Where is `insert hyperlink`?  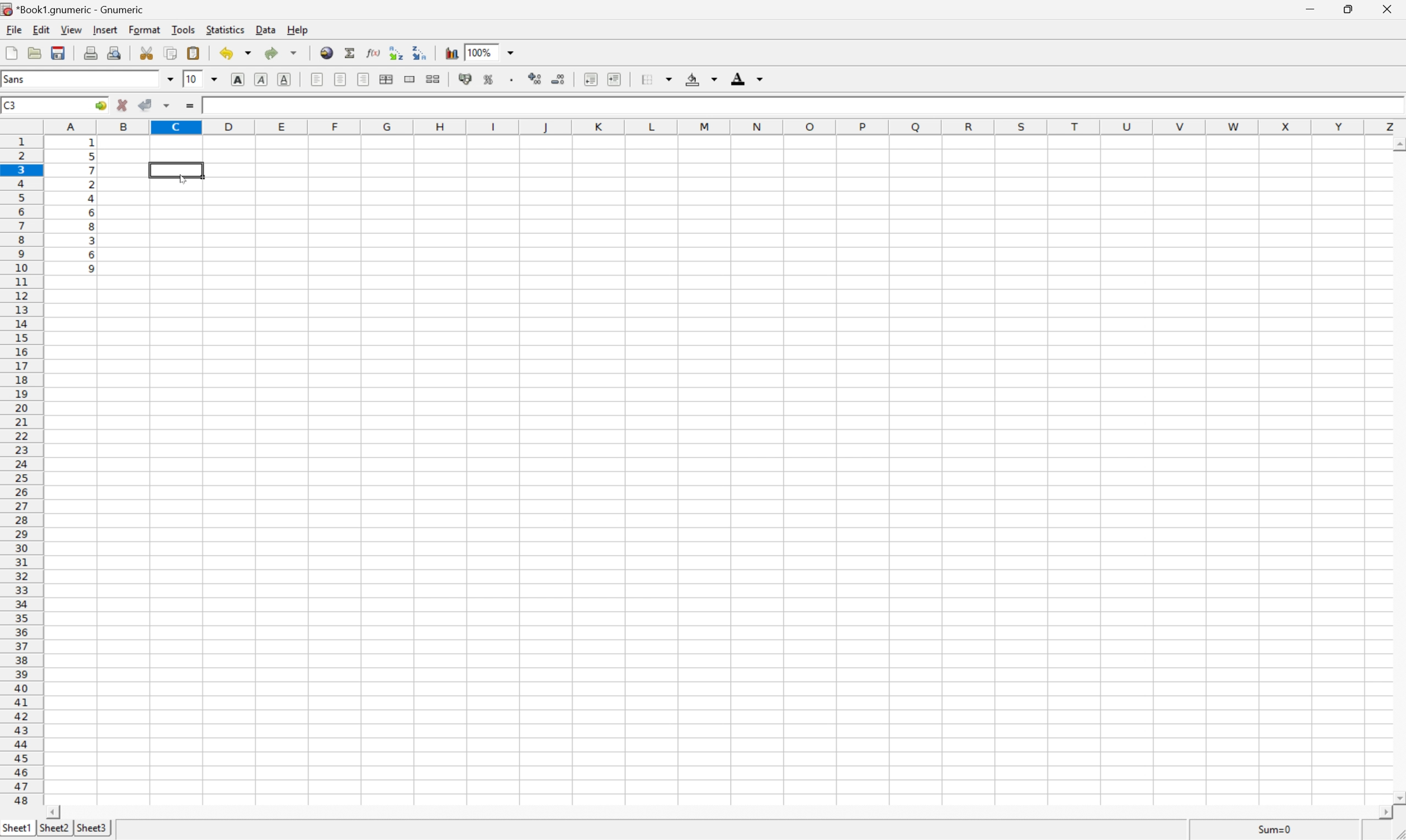
insert hyperlink is located at coordinates (324, 52).